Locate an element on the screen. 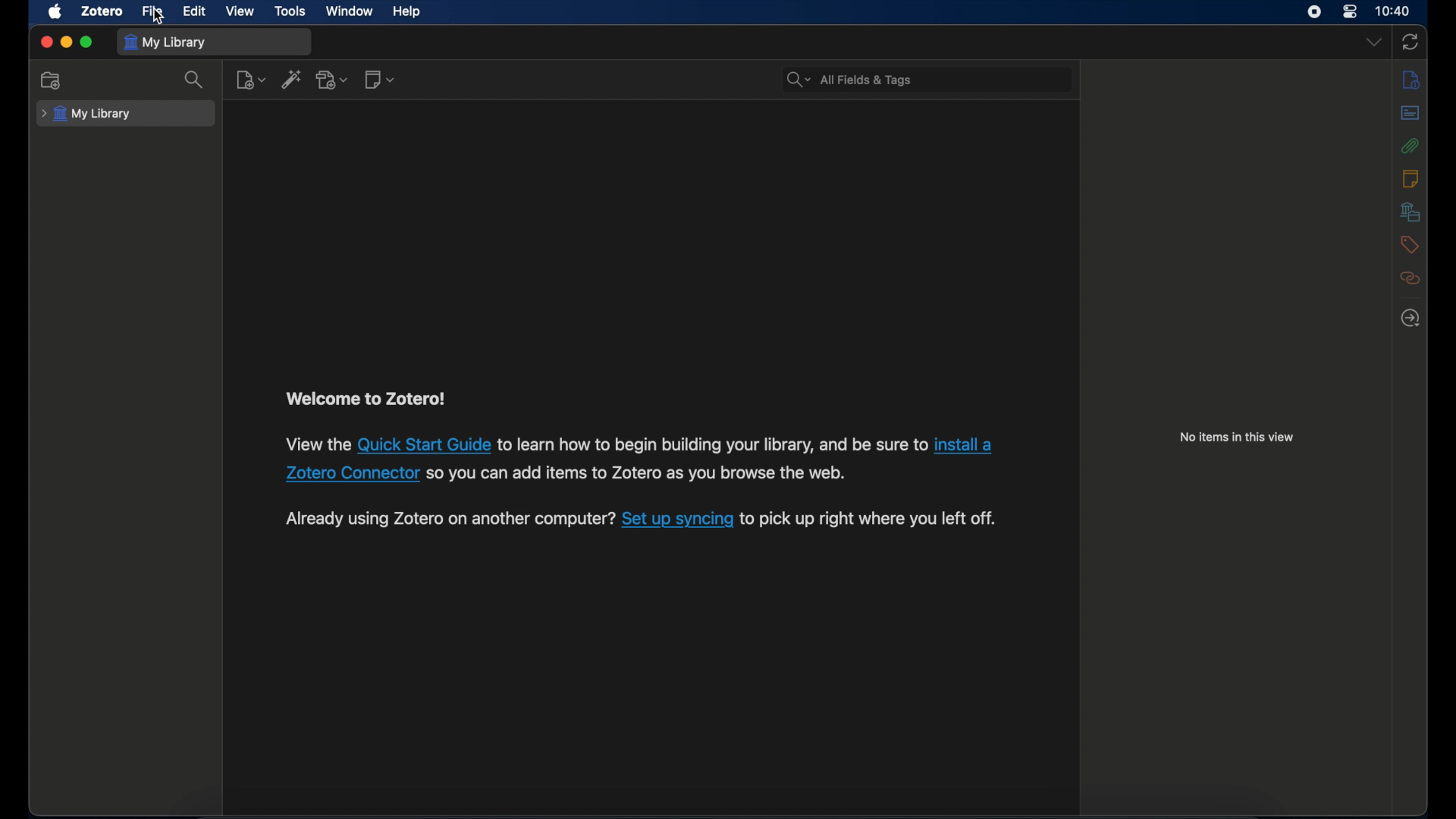 The image size is (1456, 819). control center is located at coordinates (1350, 12).